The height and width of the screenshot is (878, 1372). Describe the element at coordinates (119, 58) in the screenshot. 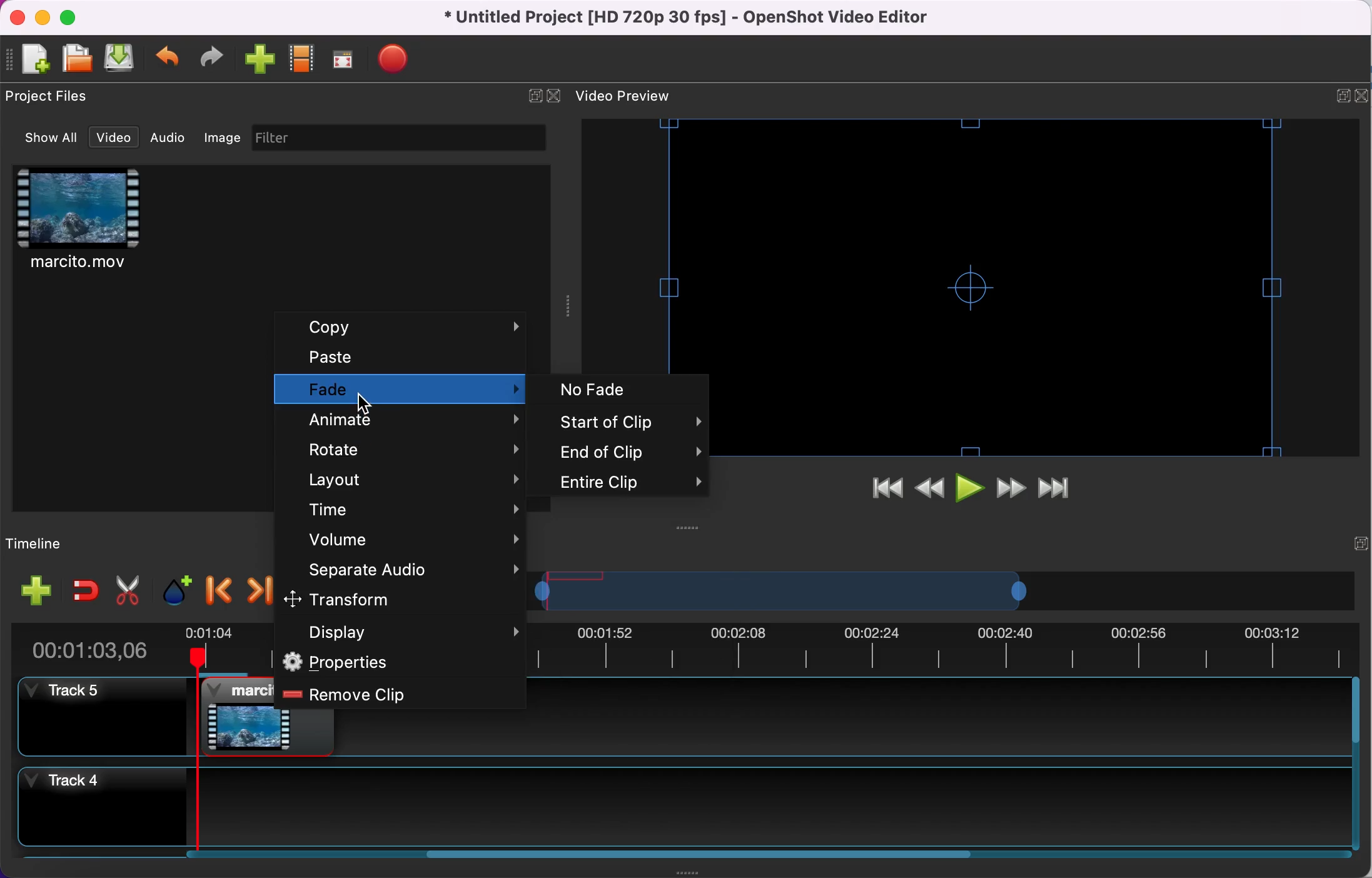

I see `save file` at that location.